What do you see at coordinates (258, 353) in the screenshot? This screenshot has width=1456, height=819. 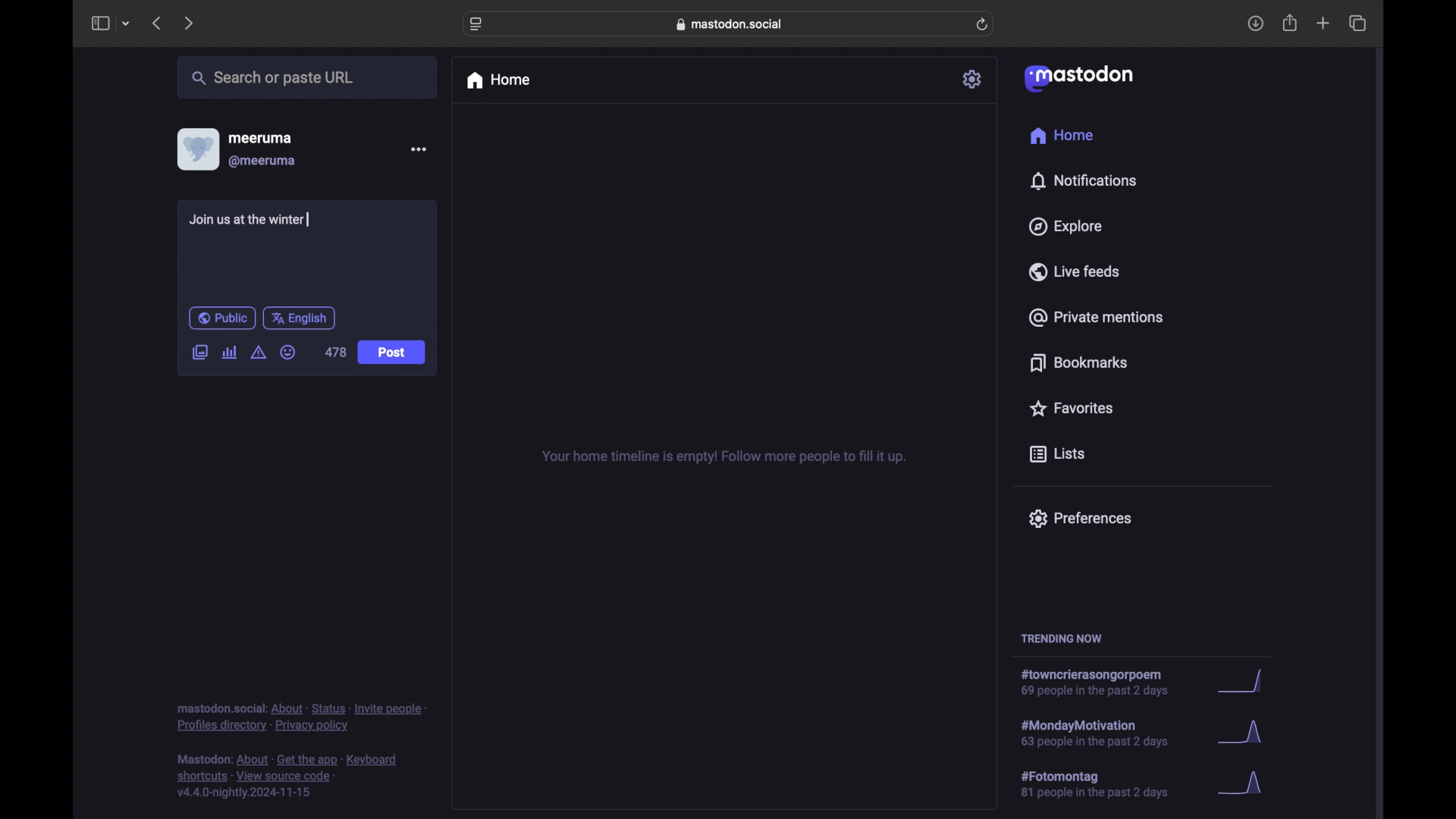 I see `add content warning` at bounding box center [258, 353].